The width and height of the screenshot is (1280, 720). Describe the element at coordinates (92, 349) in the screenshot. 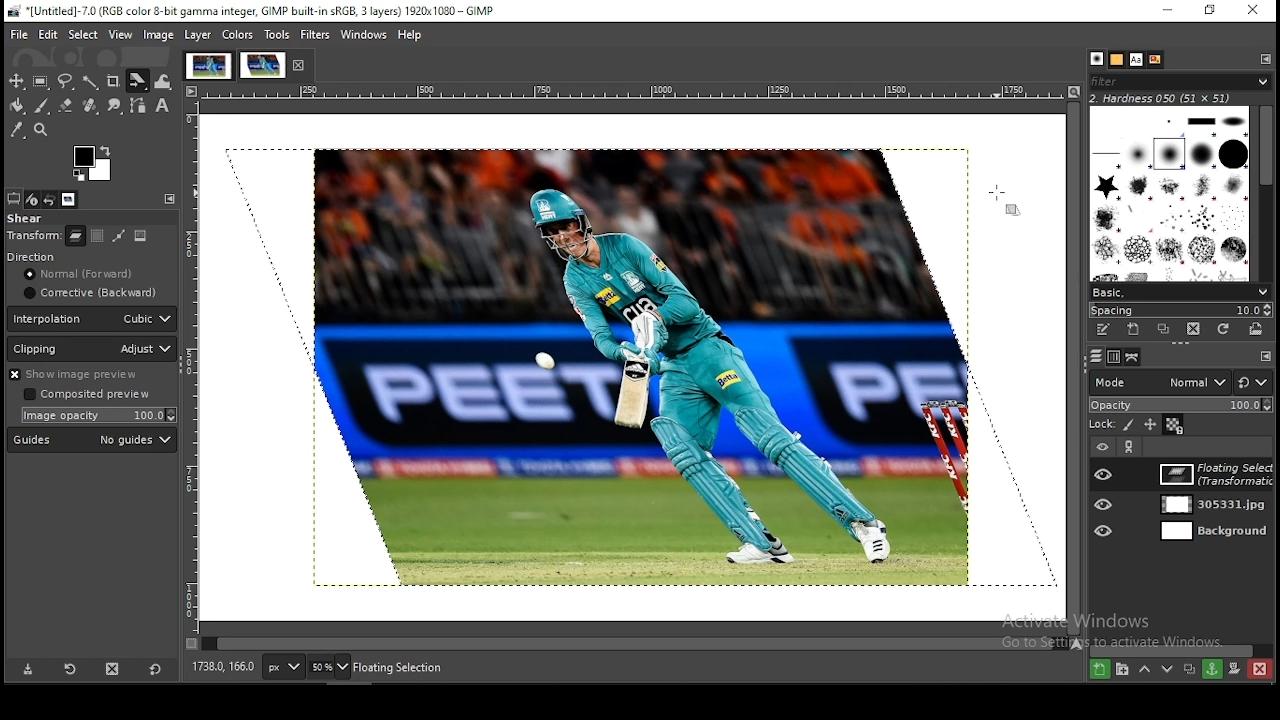

I see `clipping` at that location.